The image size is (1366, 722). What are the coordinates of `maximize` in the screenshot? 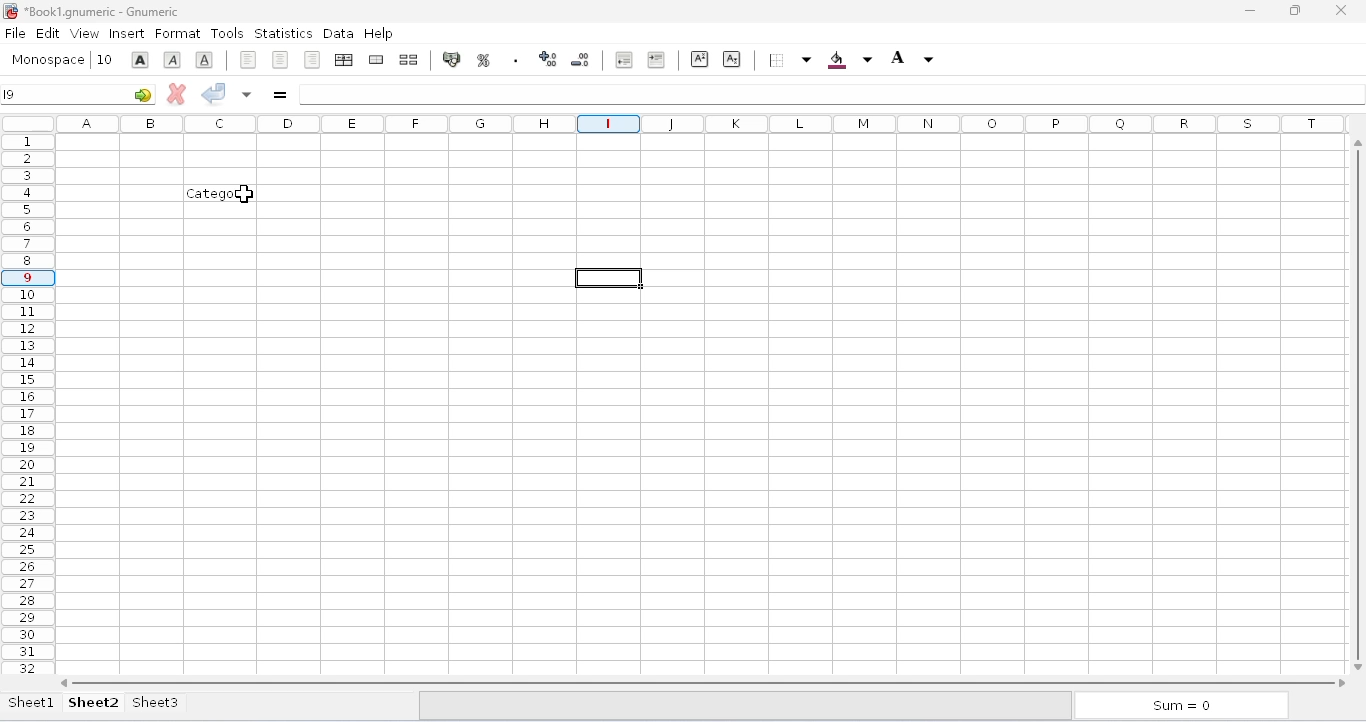 It's located at (1295, 11).